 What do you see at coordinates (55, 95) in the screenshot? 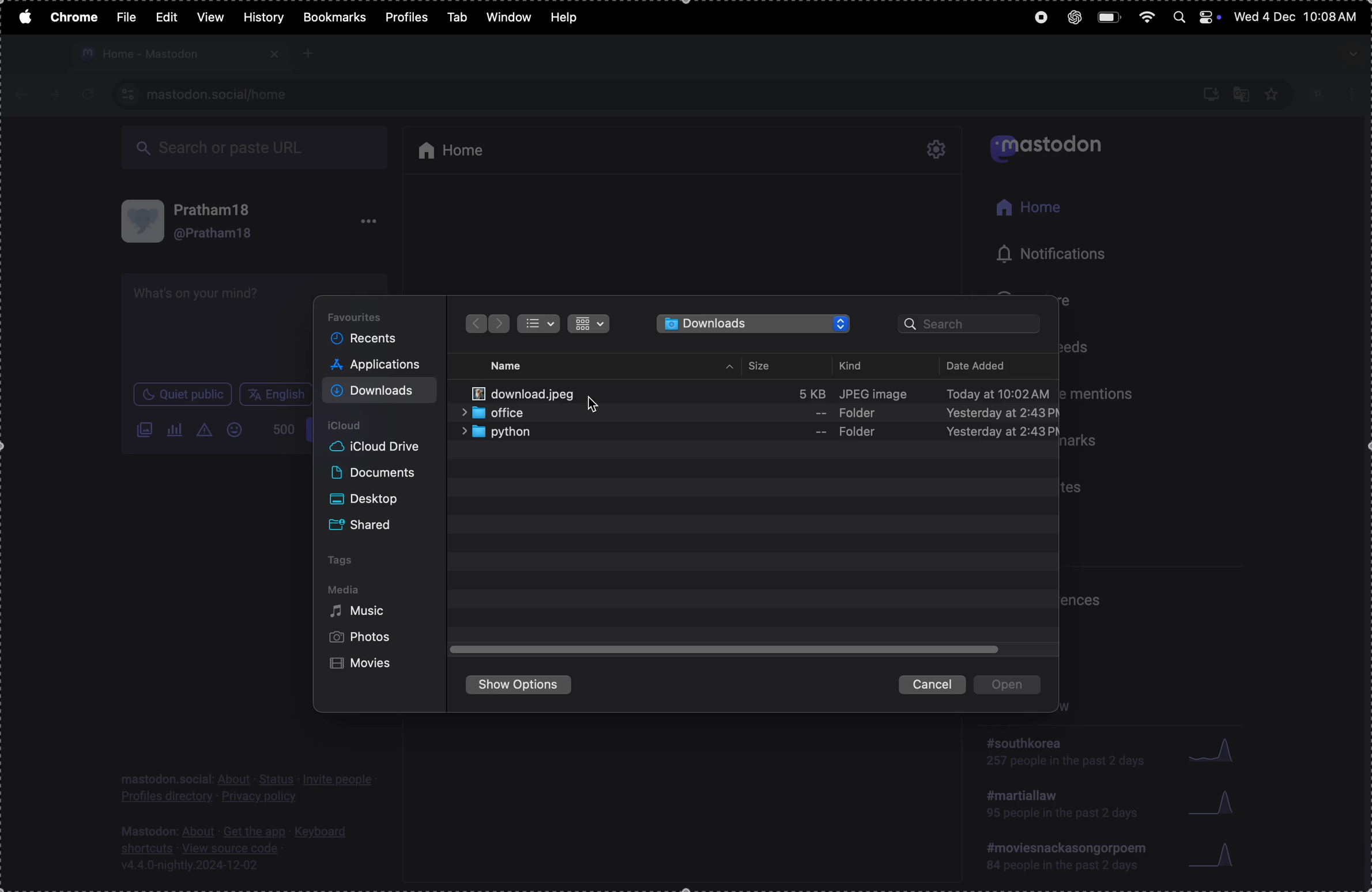
I see `nexttab` at bounding box center [55, 95].